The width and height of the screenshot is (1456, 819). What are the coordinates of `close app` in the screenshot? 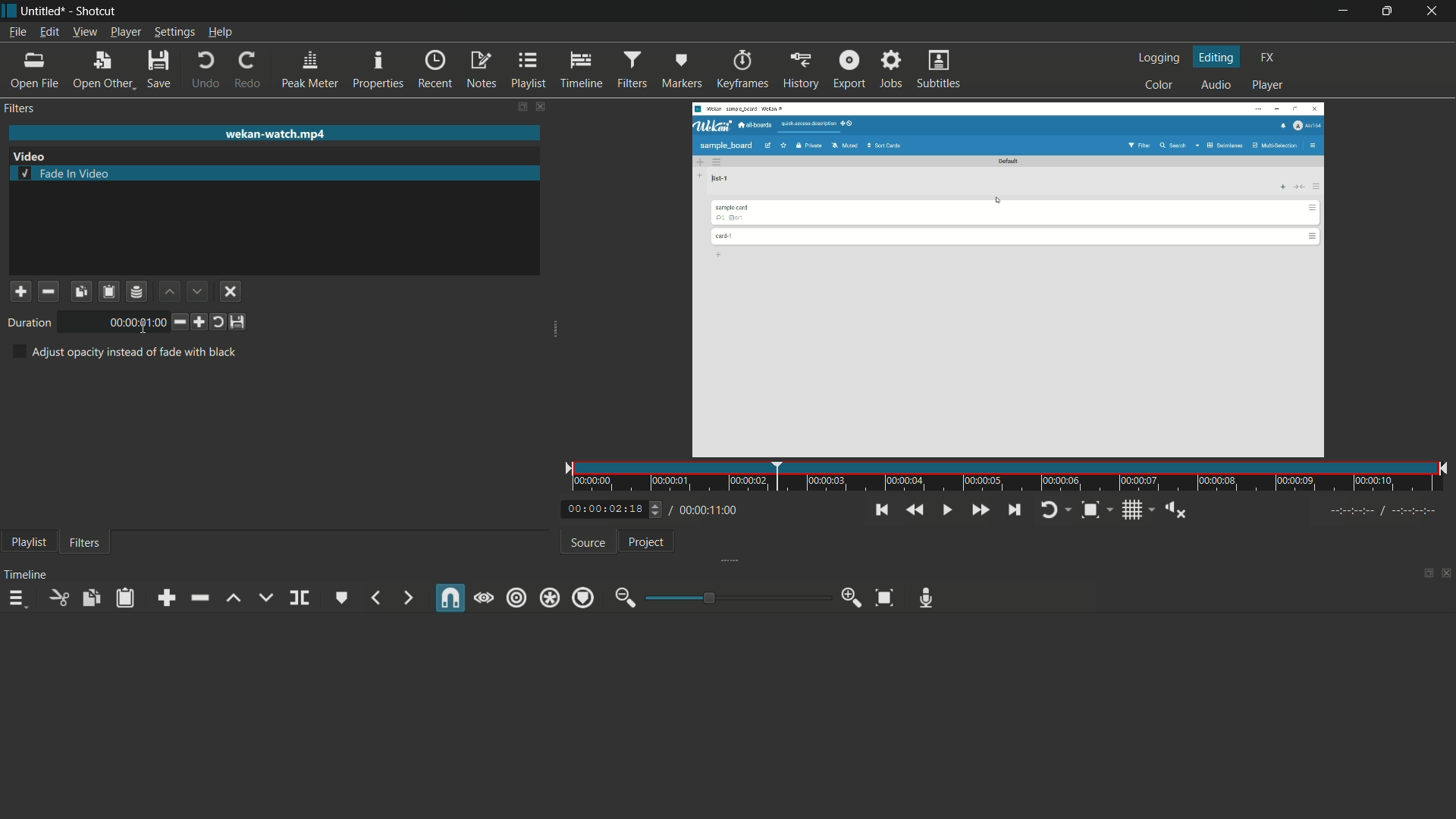 It's located at (1434, 12).